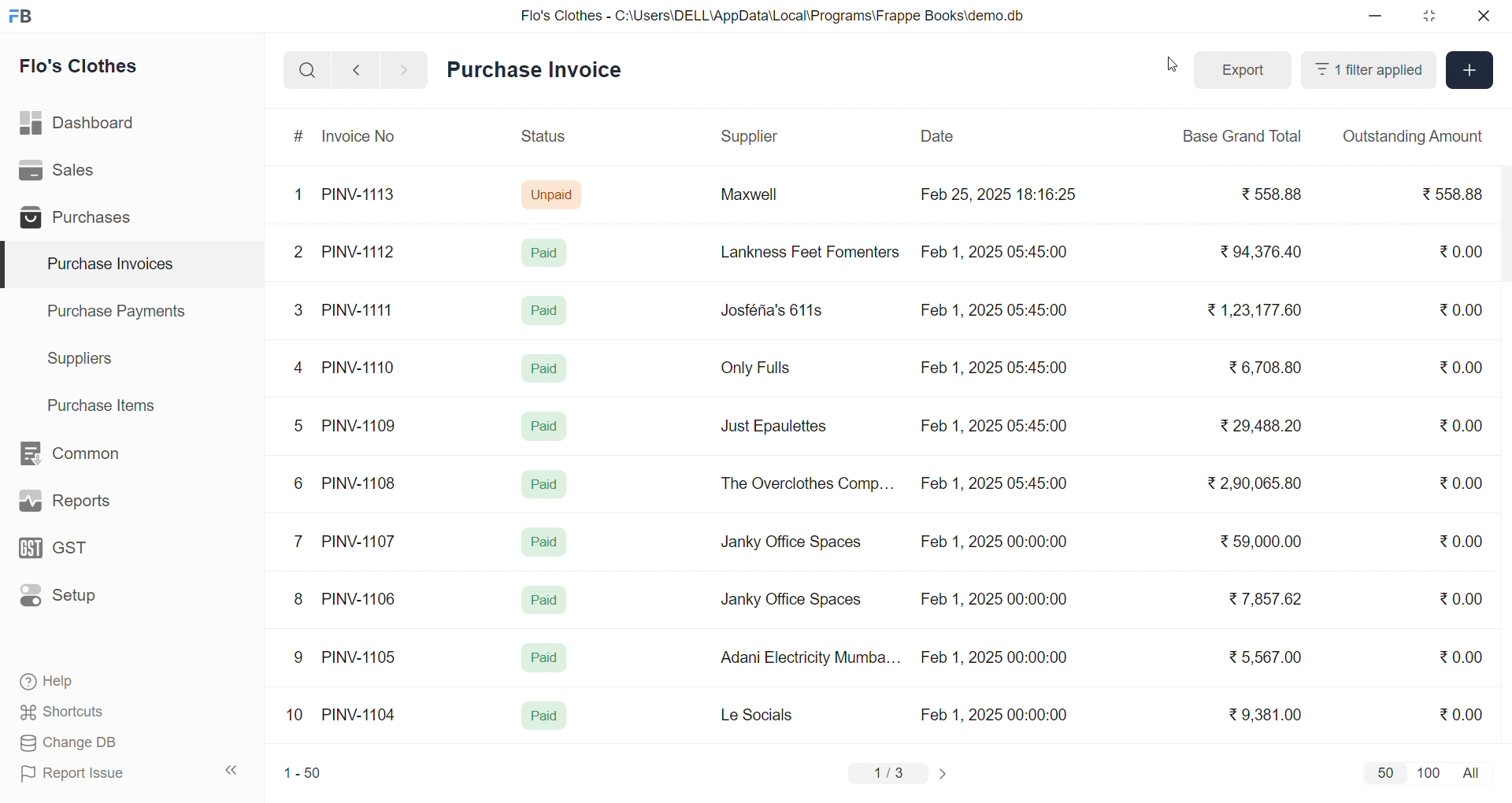  What do you see at coordinates (1474, 772) in the screenshot?
I see `all` at bounding box center [1474, 772].